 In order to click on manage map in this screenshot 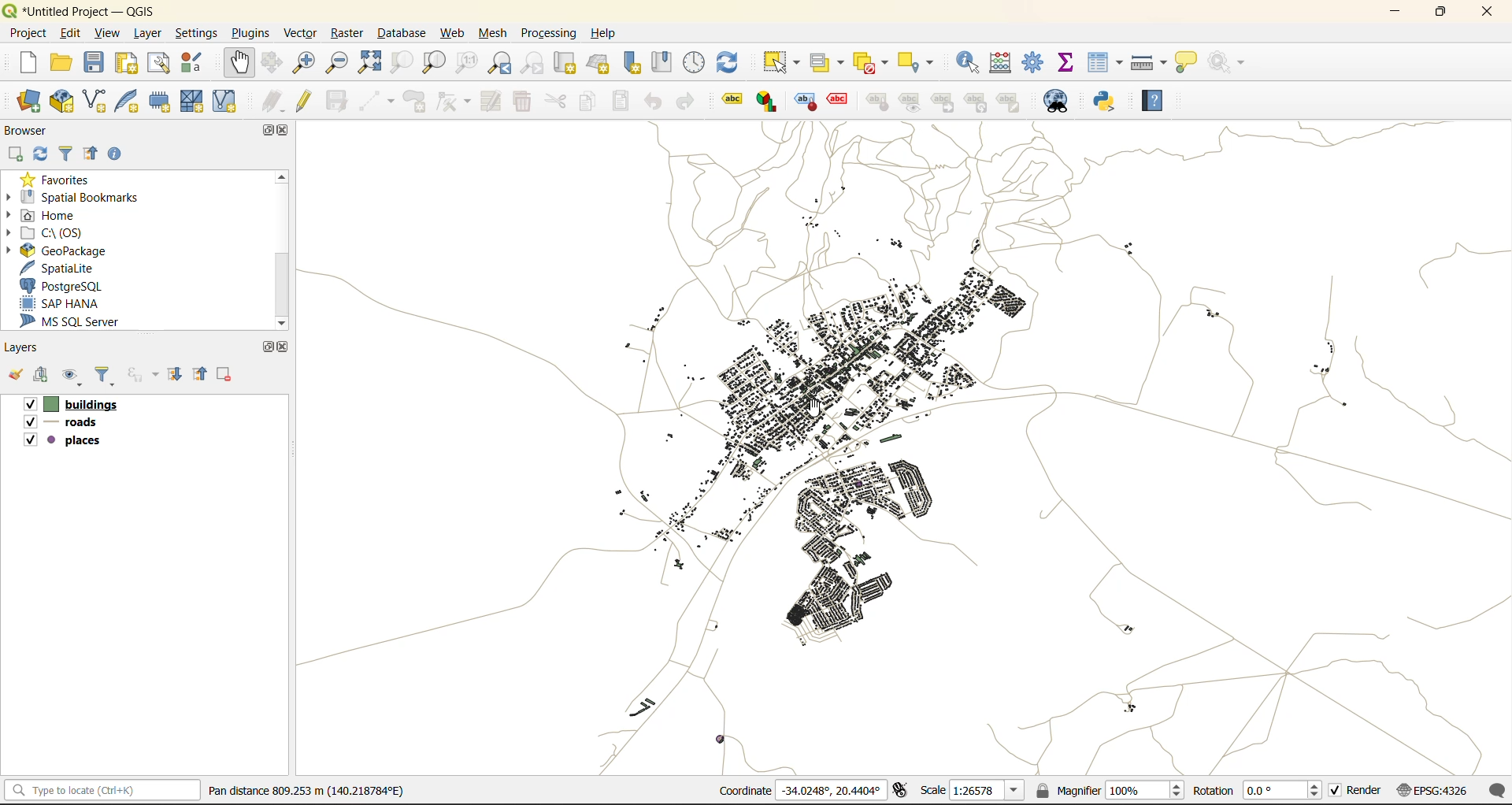, I will do `click(74, 377)`.